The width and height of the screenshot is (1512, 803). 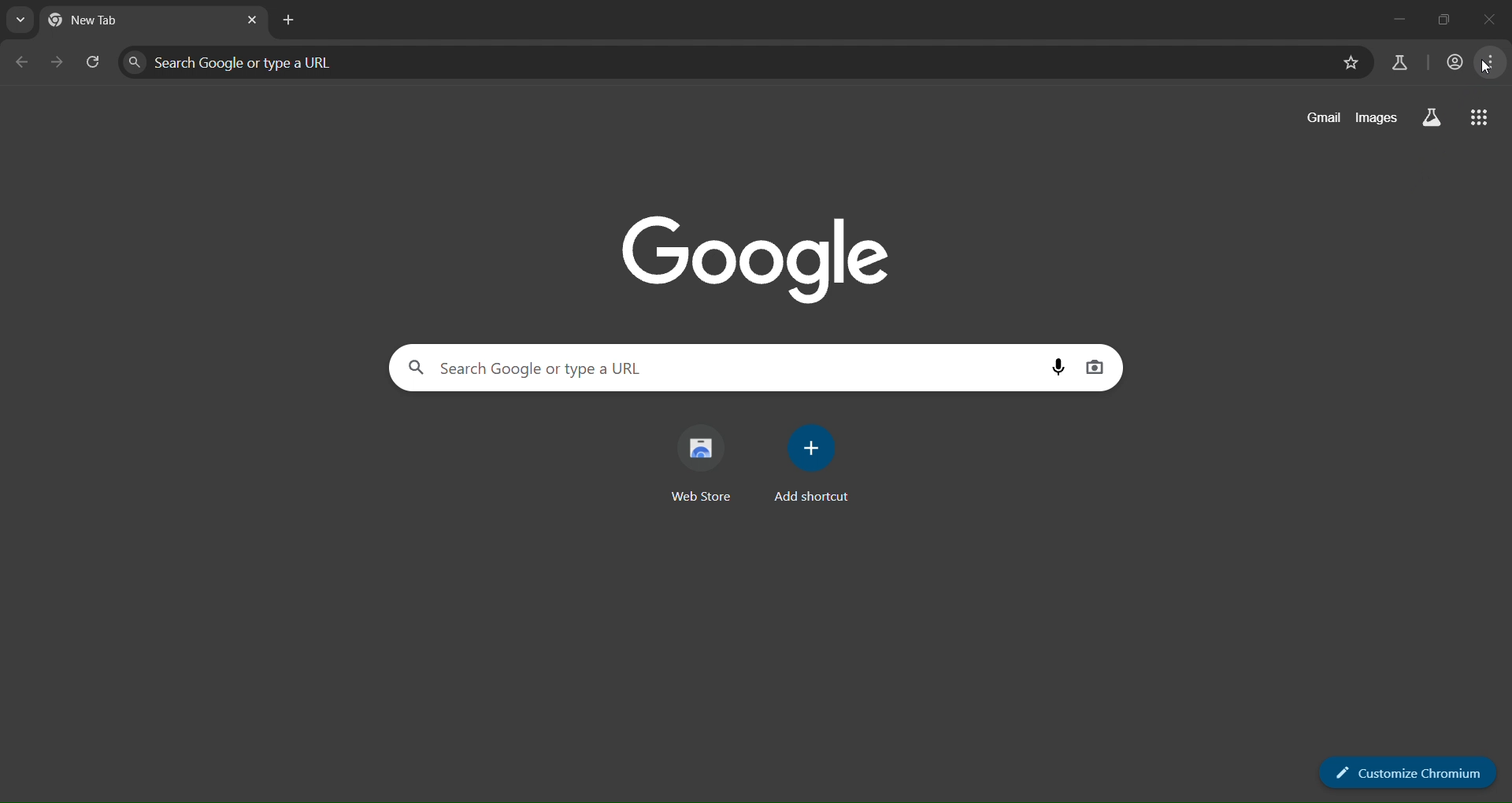 I want to click on add shortcut, so click(x=812, y=463).